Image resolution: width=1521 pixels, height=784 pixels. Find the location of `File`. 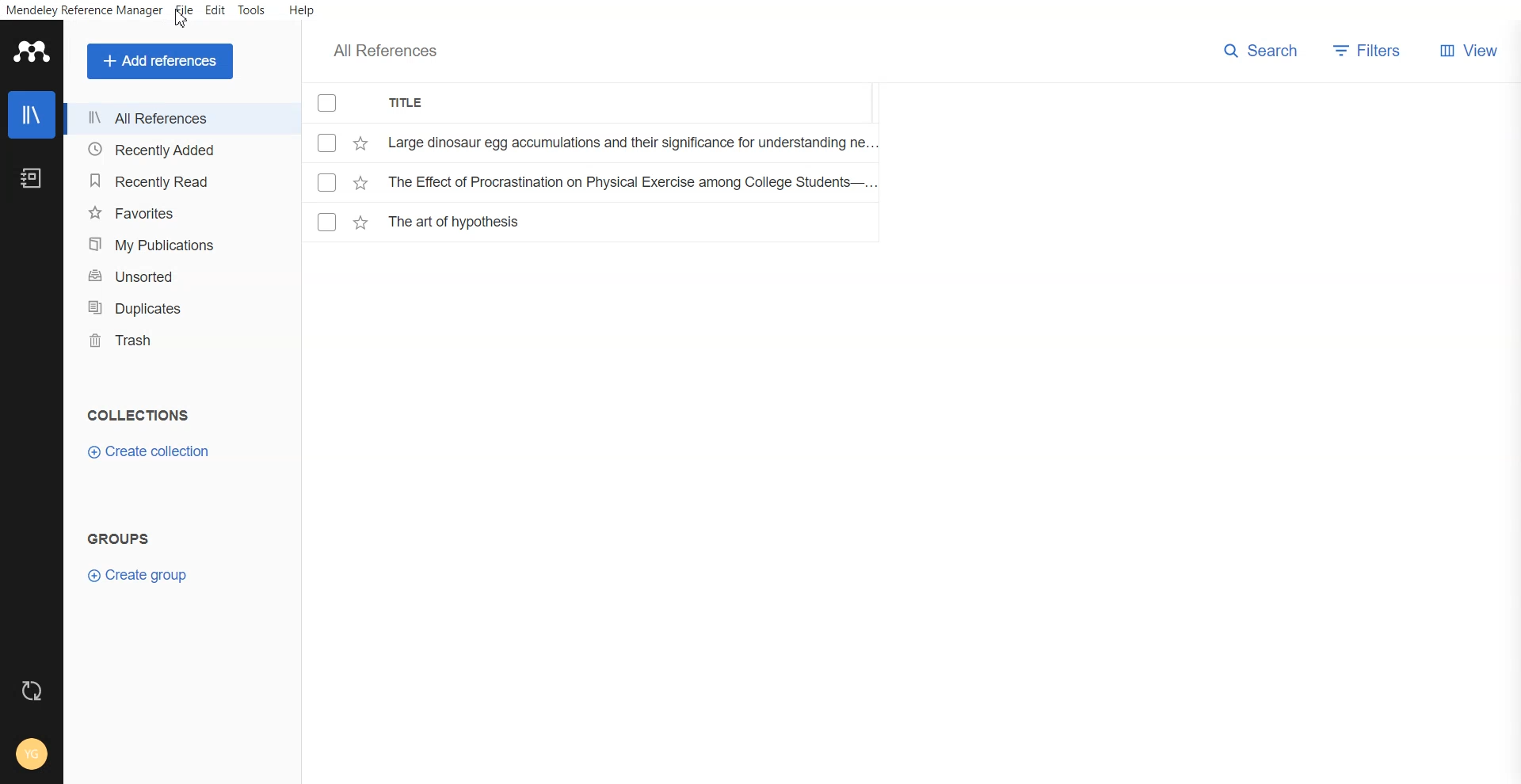

File is located at coordinates (594, 222).